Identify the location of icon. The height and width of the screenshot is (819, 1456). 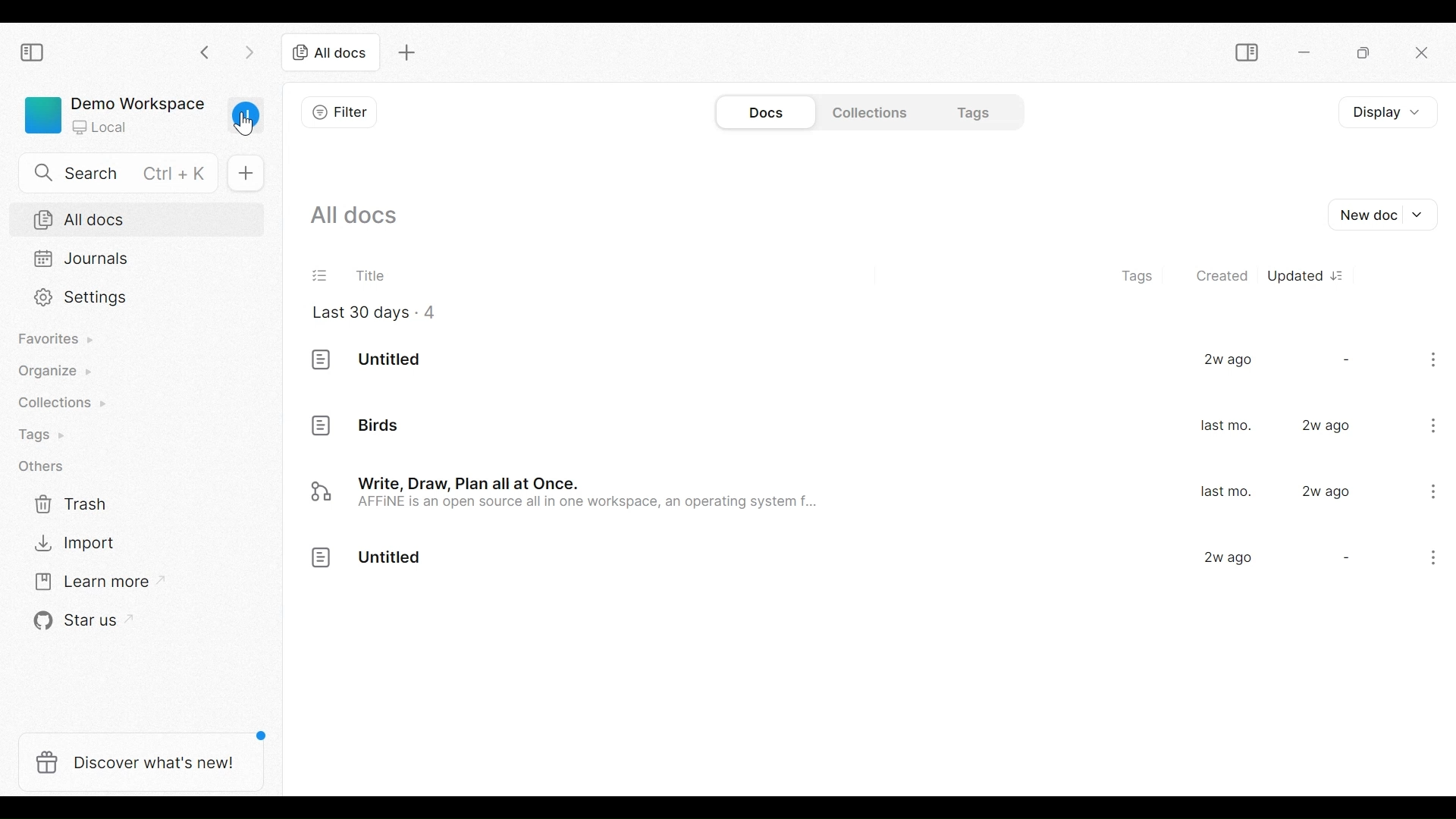
(323, 425).